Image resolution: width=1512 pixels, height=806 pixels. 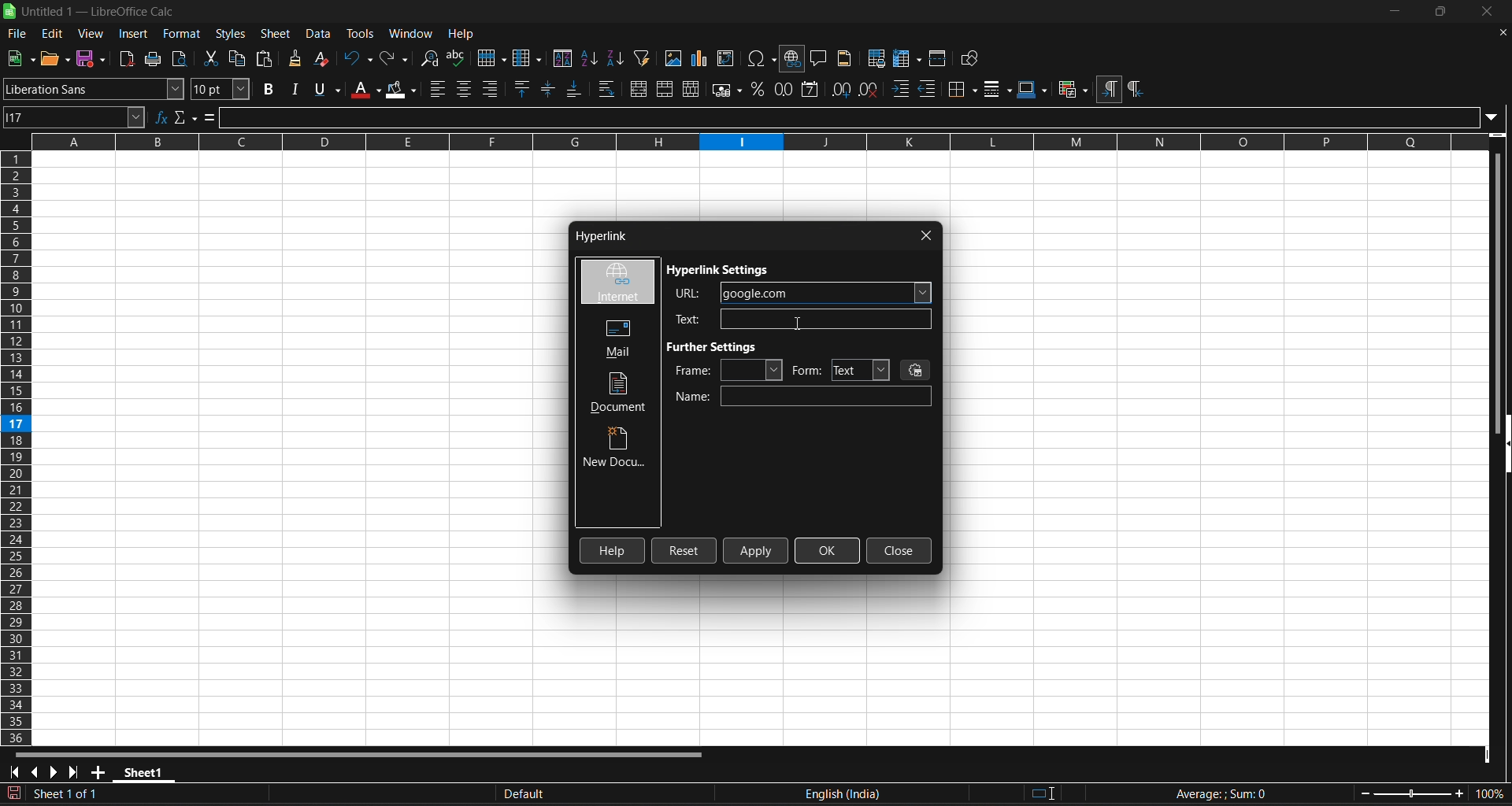 What do you see at coordinates (413, 31) in the screenshot?
I see `window` at bounding box center [413, 31].